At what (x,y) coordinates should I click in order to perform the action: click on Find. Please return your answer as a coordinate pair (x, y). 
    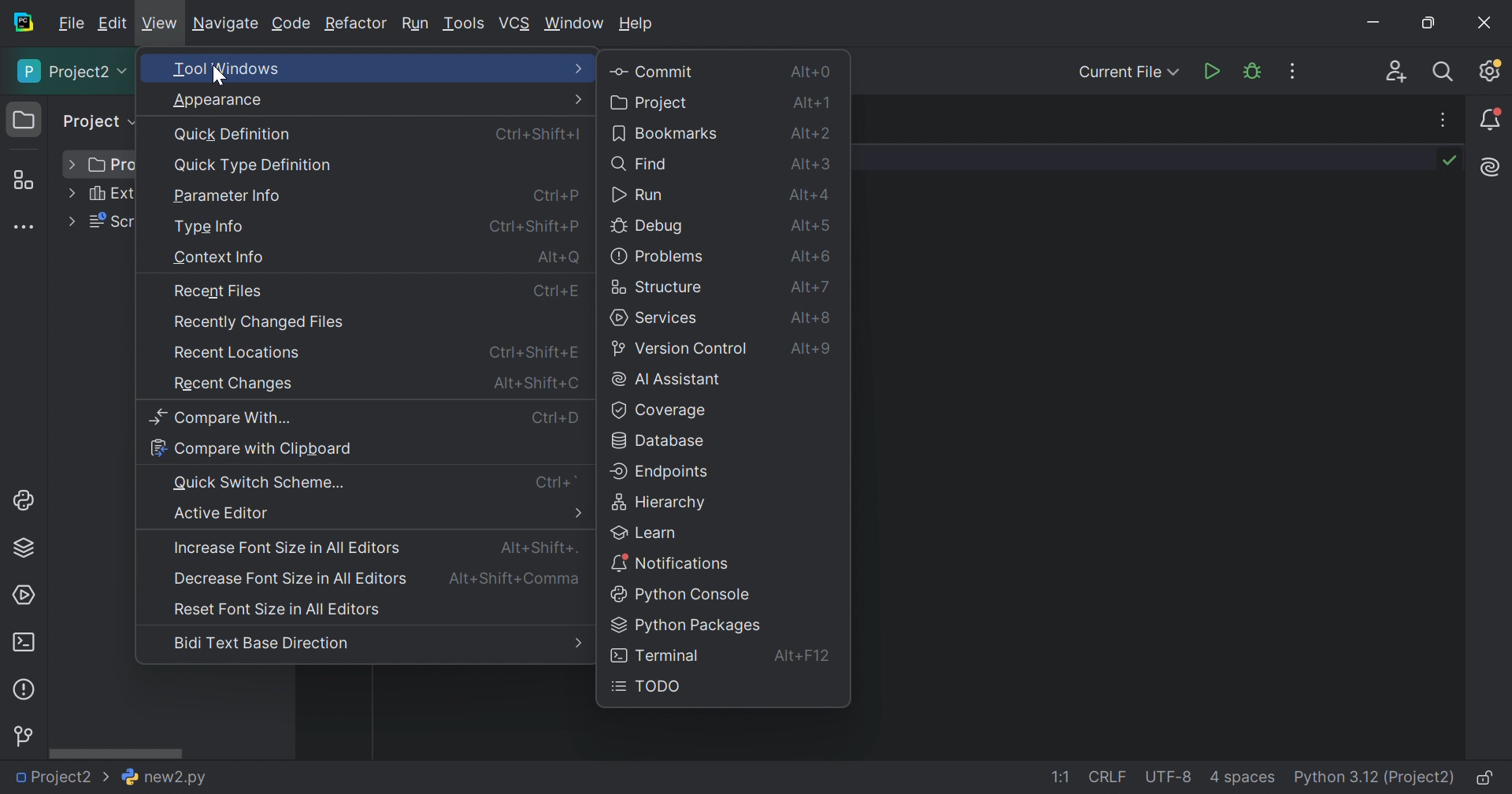
    Looking at the image, I should click on (641, 165).